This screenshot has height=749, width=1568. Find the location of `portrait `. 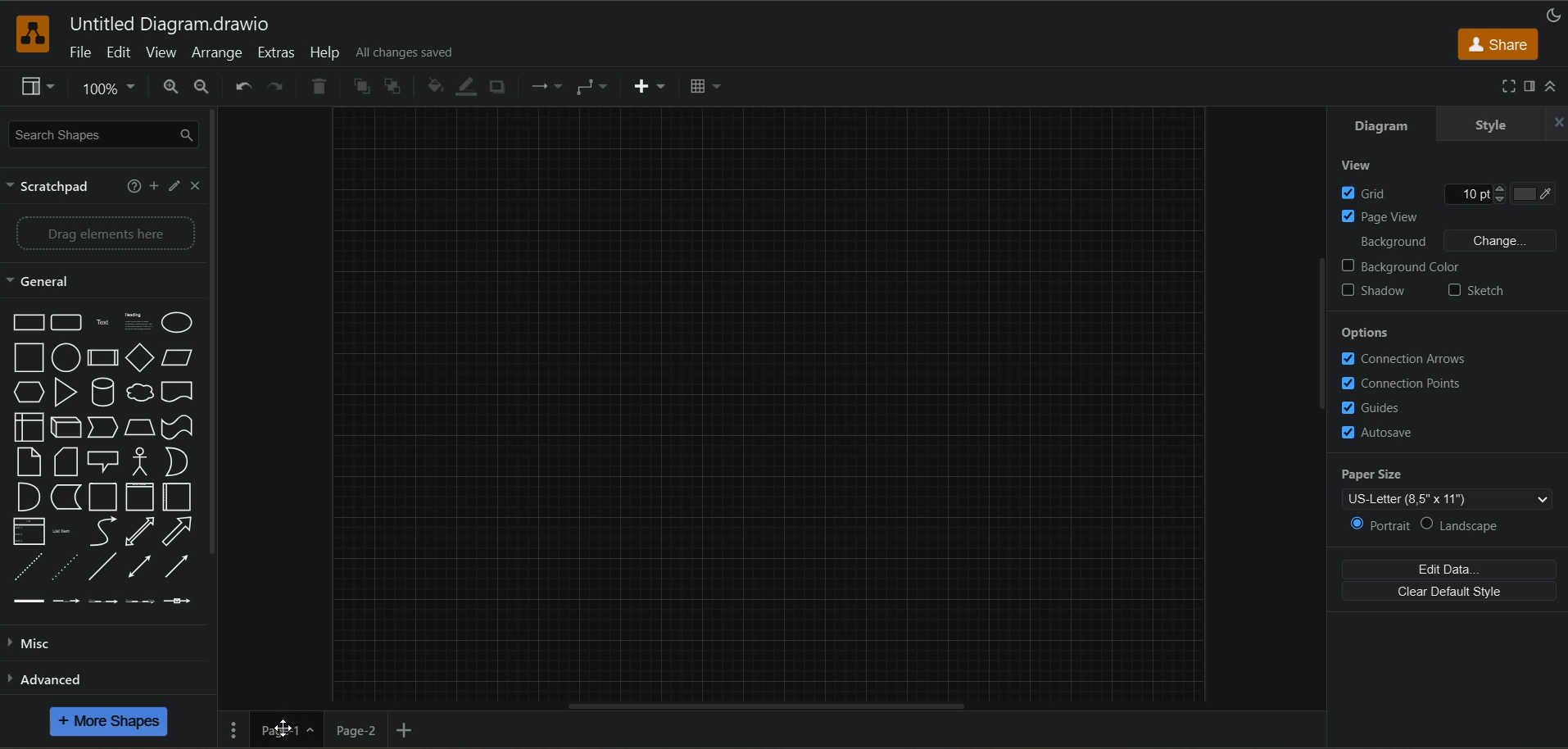

portrait  is located at coordinates (1381, 525).